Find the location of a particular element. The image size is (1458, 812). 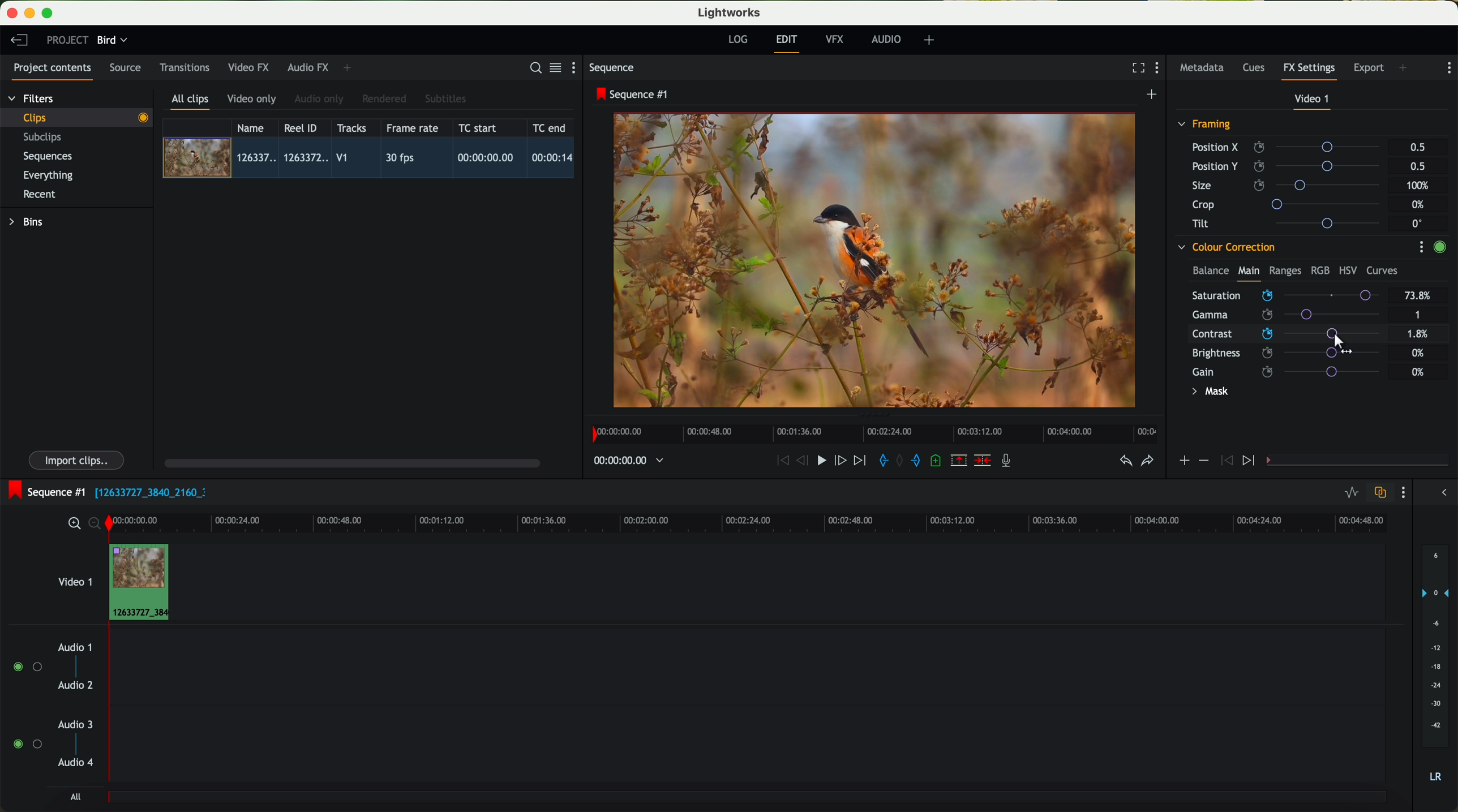

drag video to video track 1 is located at coordinates (144, 583).